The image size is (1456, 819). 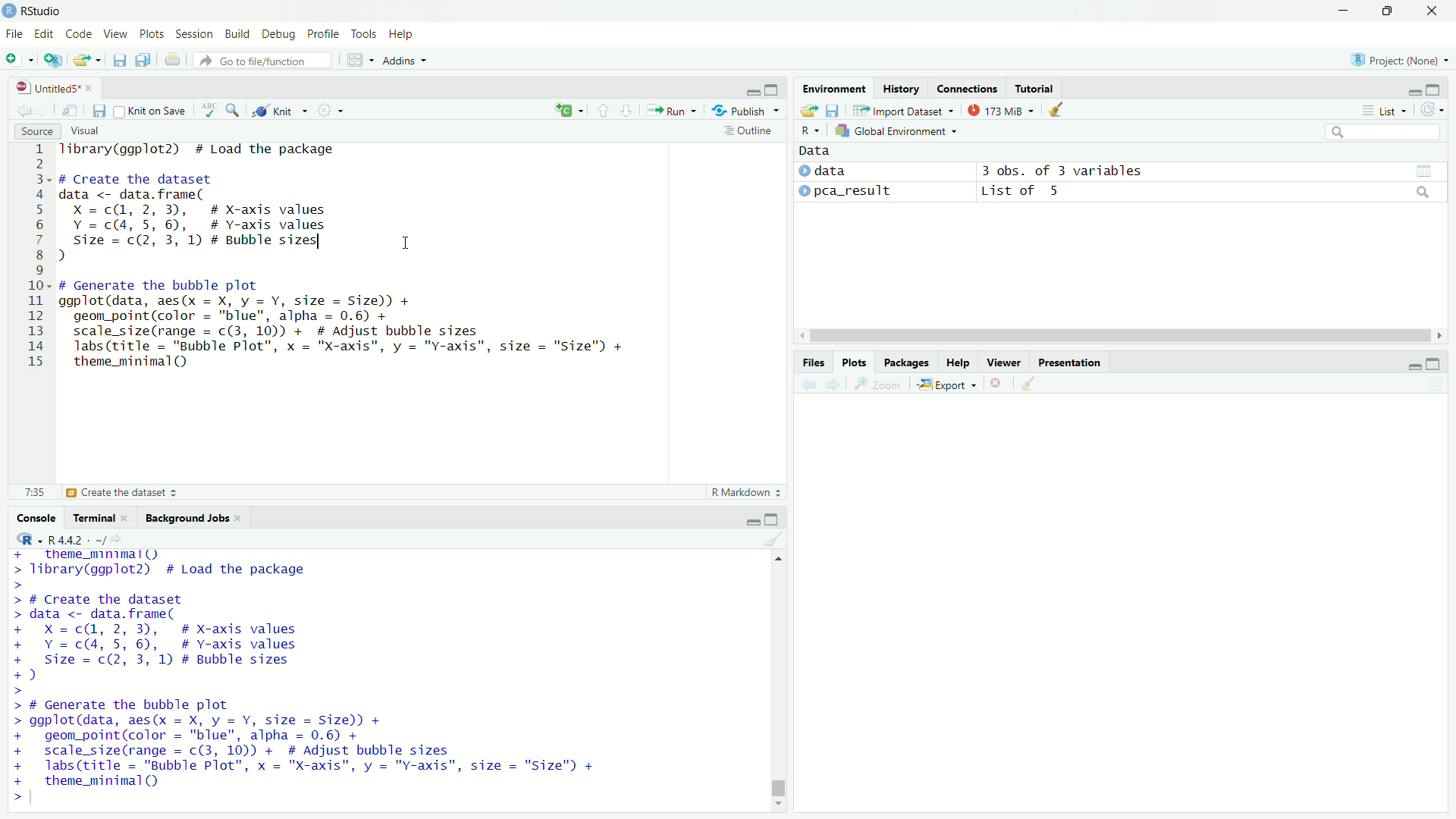 What do you see at coordinates (1415, 362) in the screenshot?
I see `minimize` at bounding box center [1415, 362].